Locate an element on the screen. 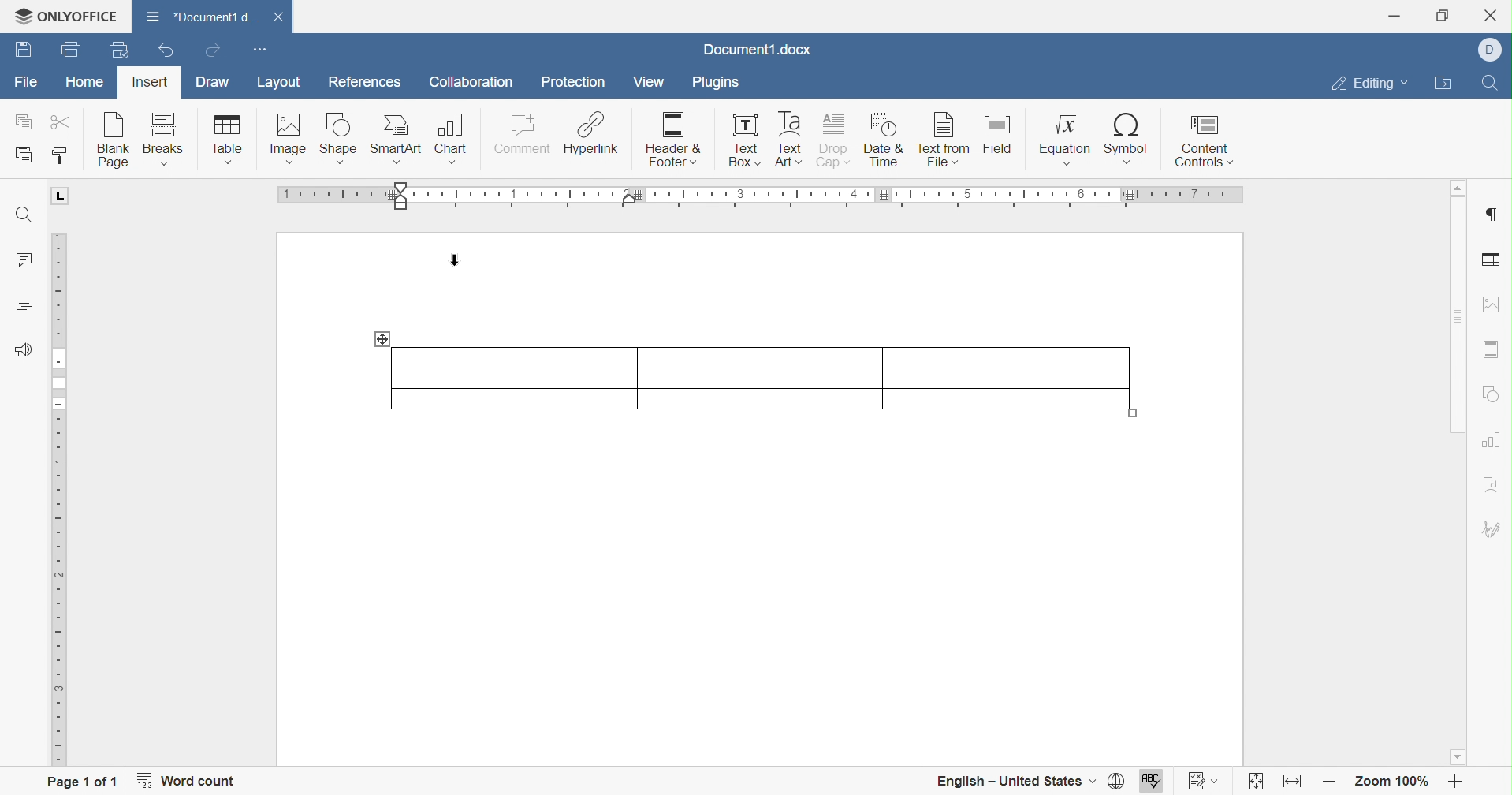 The height and width of the screenshot is (795, 1512). Comments is located at coordinates (26, 258).